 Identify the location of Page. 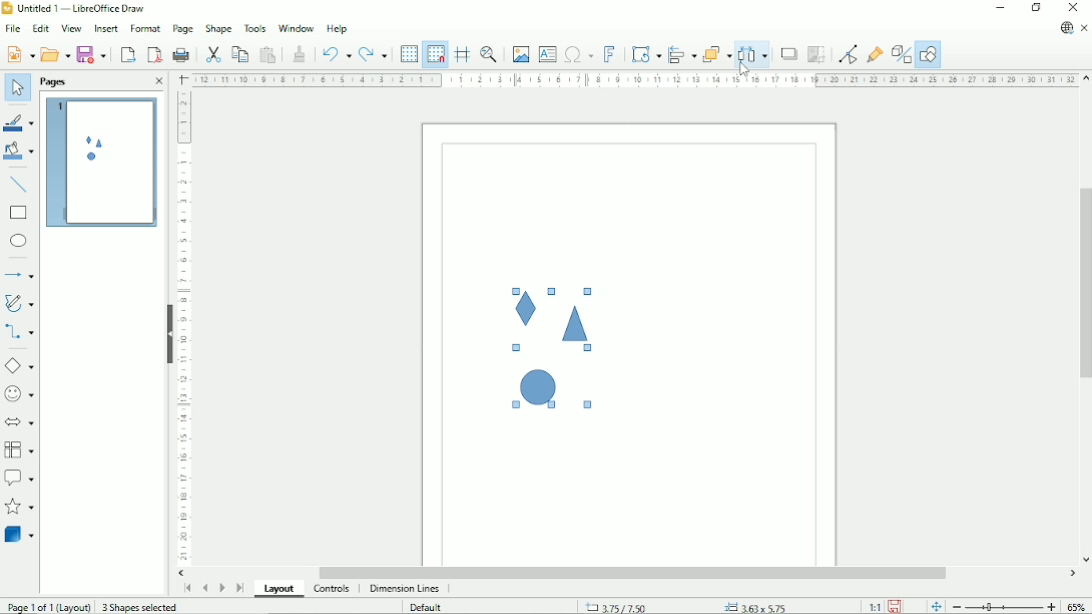
(183, 29).